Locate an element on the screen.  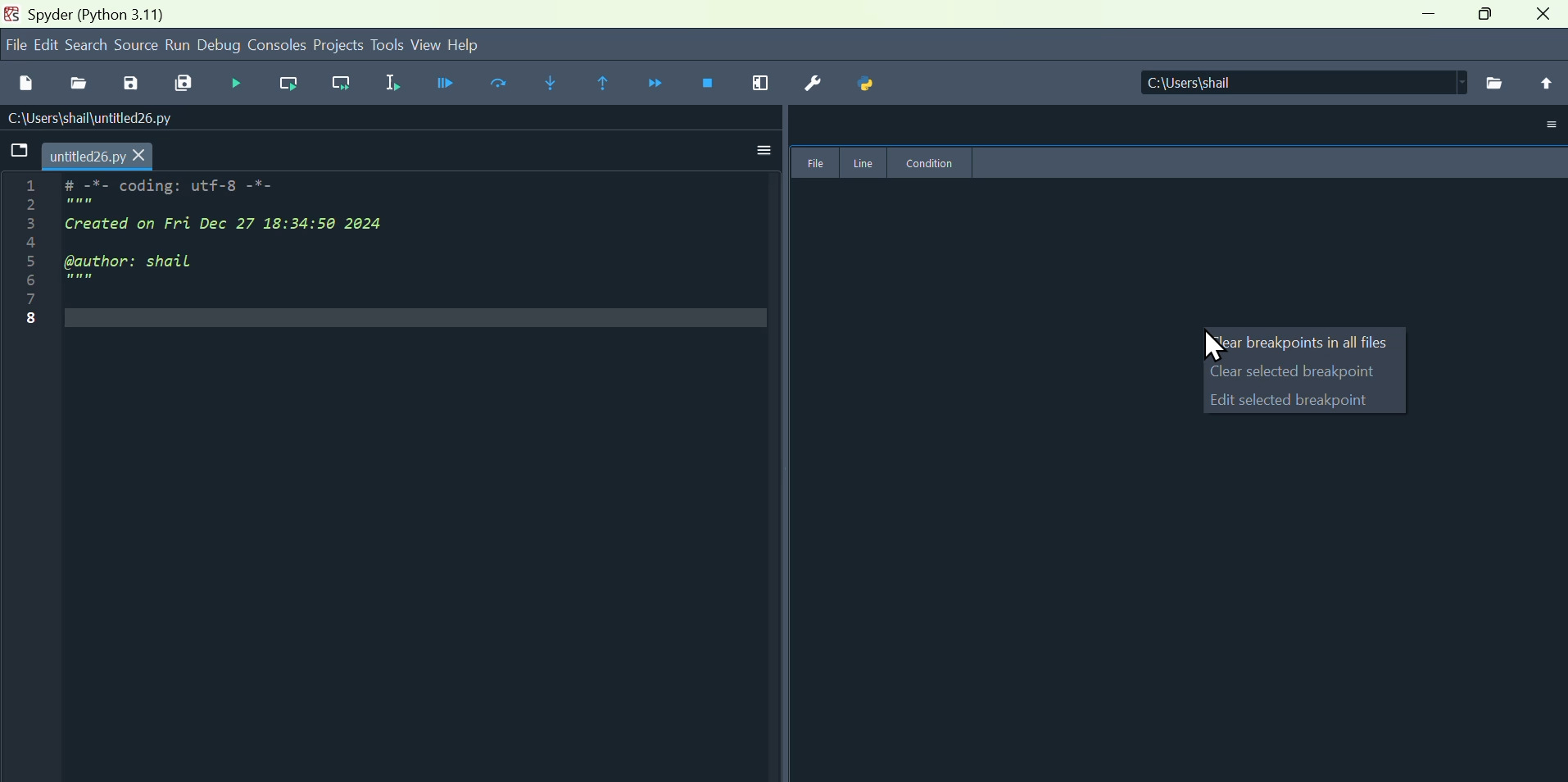
Run current line and go to the next one is located at coordinates (346, 84).